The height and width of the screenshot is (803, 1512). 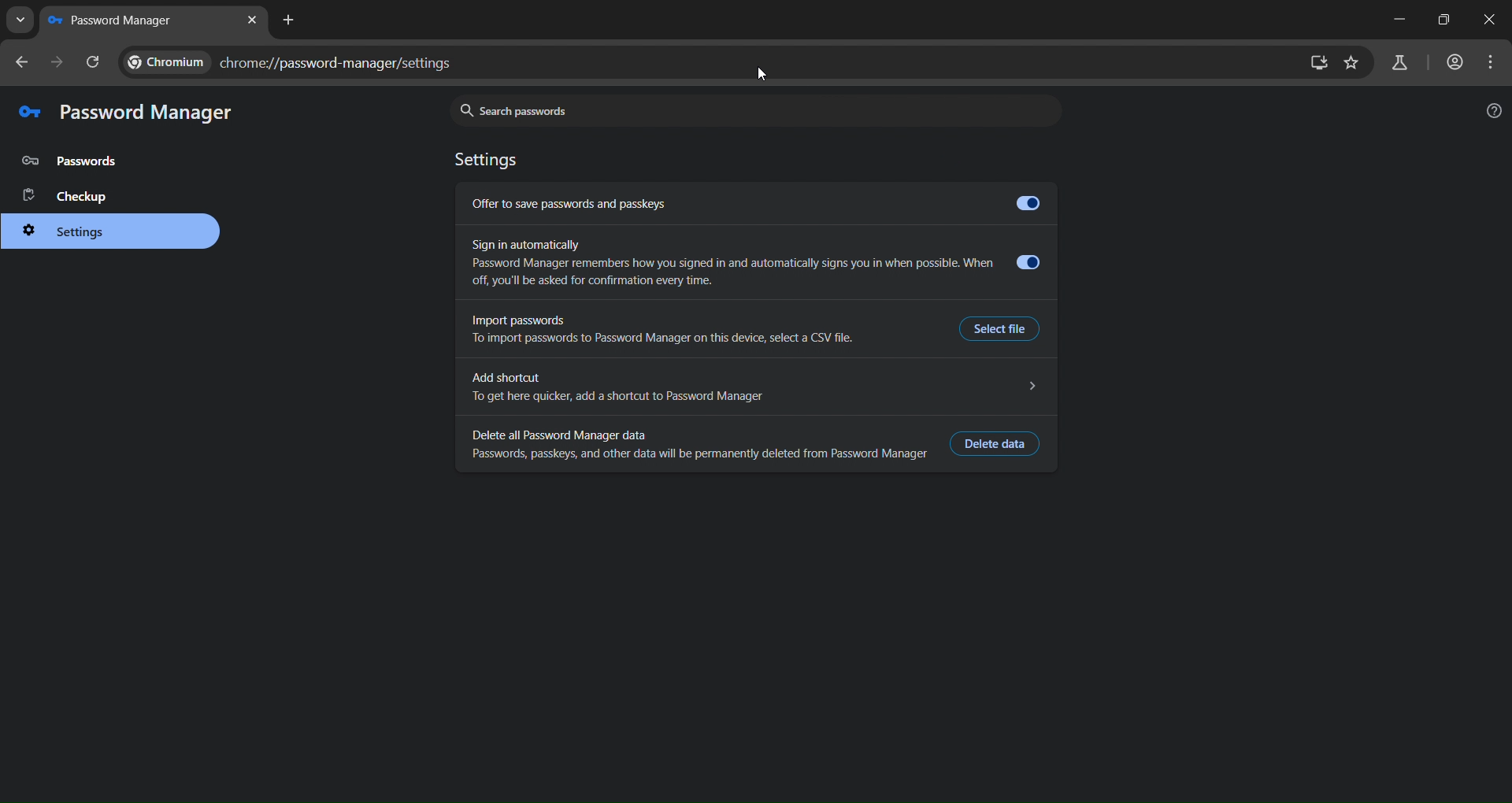 What do you see at coordinates (289, 20) in the screenshot?
I see `new tab` at bounding box center [289, 20].